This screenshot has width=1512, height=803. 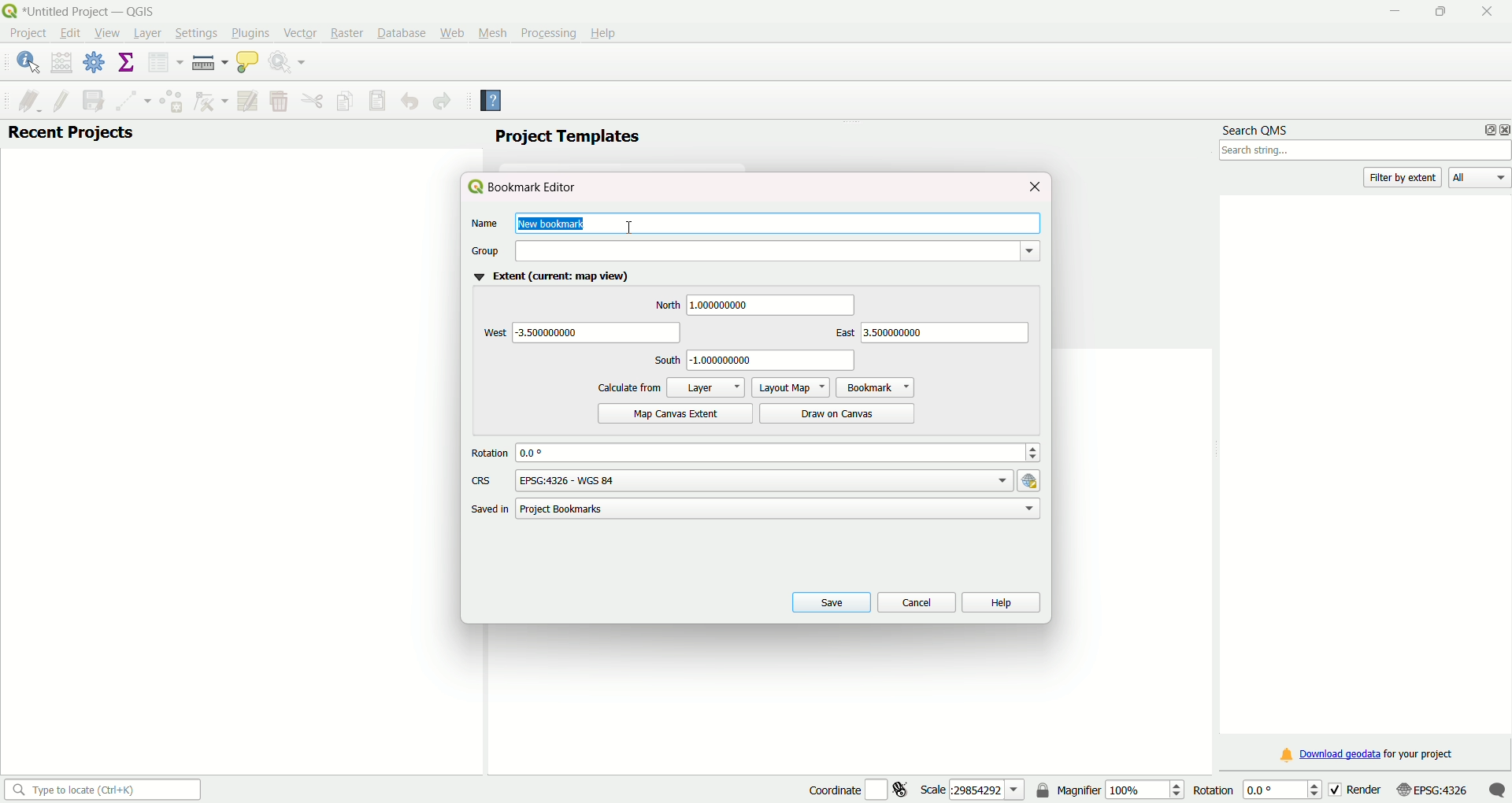 What do you see at coordinates (875, 387) in the screenshot?
I see `bookmark` at bounding box center [875, 387].